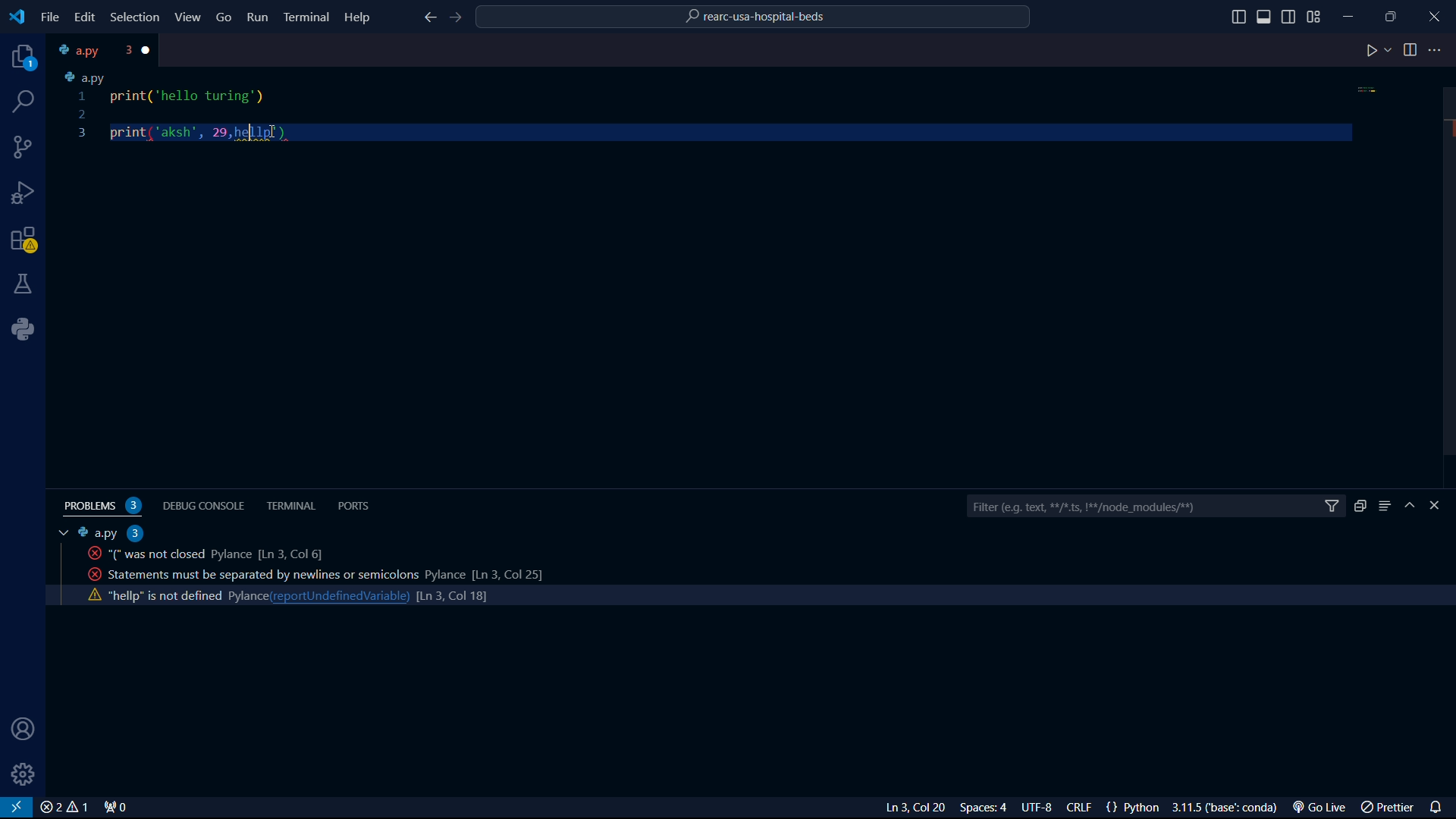 Image resolution: width=1456 pixels, height=819 pixels. Describe the element at coordinates (25, 102) in the screenshot. I see `search` at that location.